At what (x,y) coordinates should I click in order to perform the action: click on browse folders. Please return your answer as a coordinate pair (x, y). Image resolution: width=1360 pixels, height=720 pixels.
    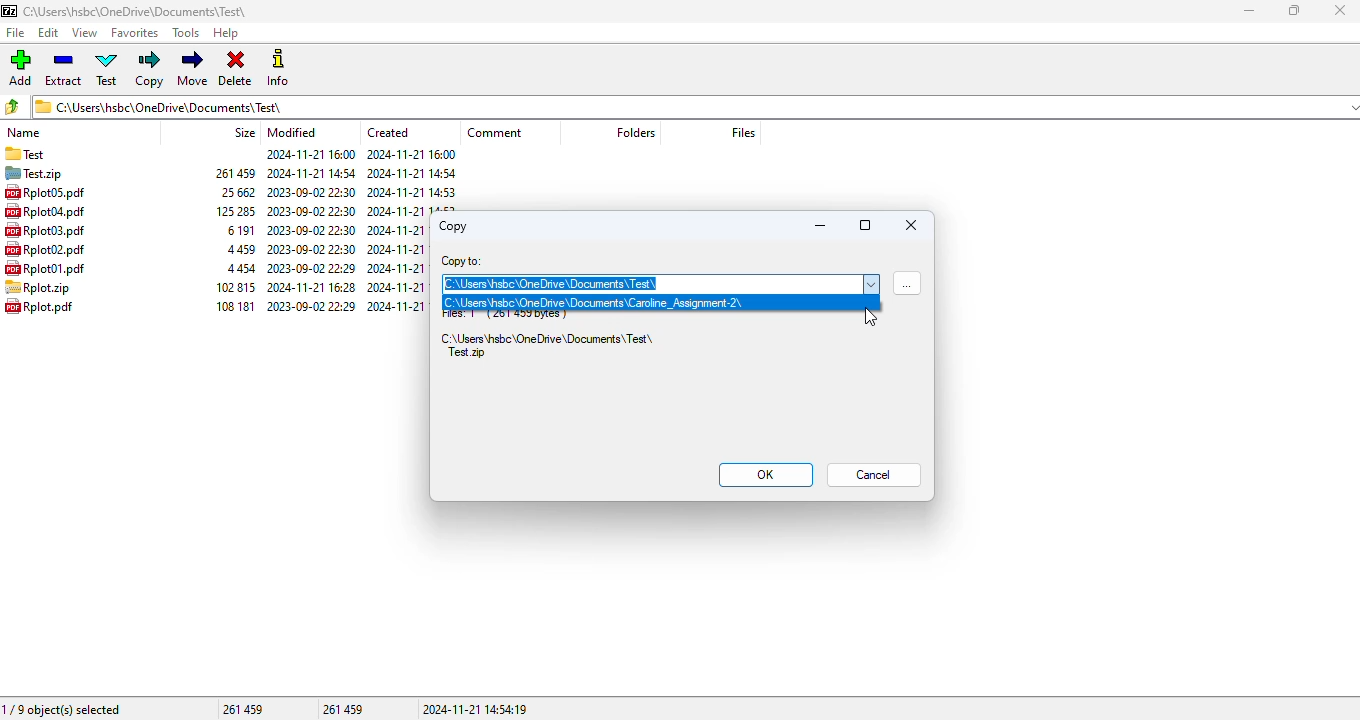
    Looking at the image, I should click on (12, 106).